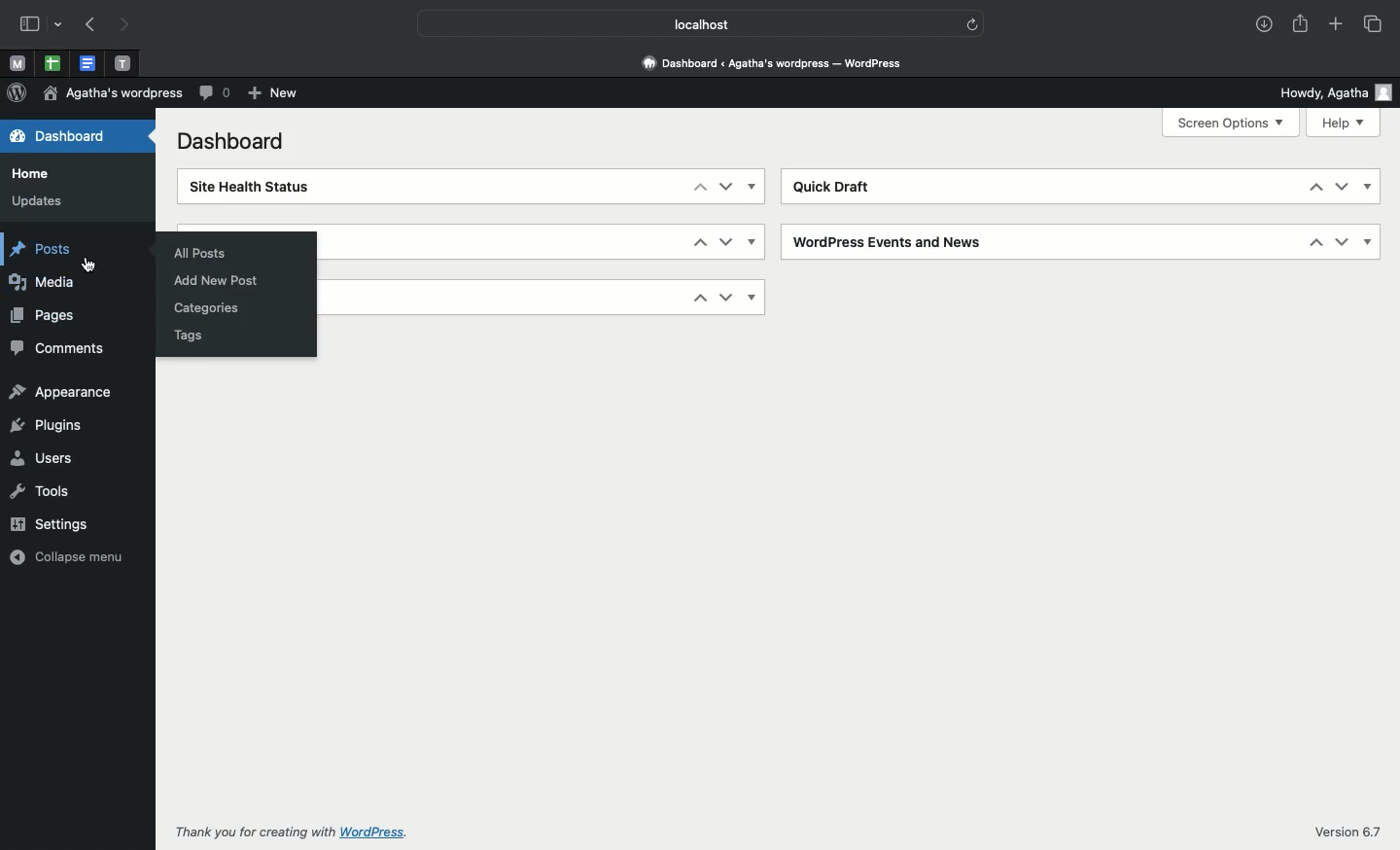  What do you see at coordinates (205, 253) in the screenshot?
I see `All posts` at bounding box center [205, 253].